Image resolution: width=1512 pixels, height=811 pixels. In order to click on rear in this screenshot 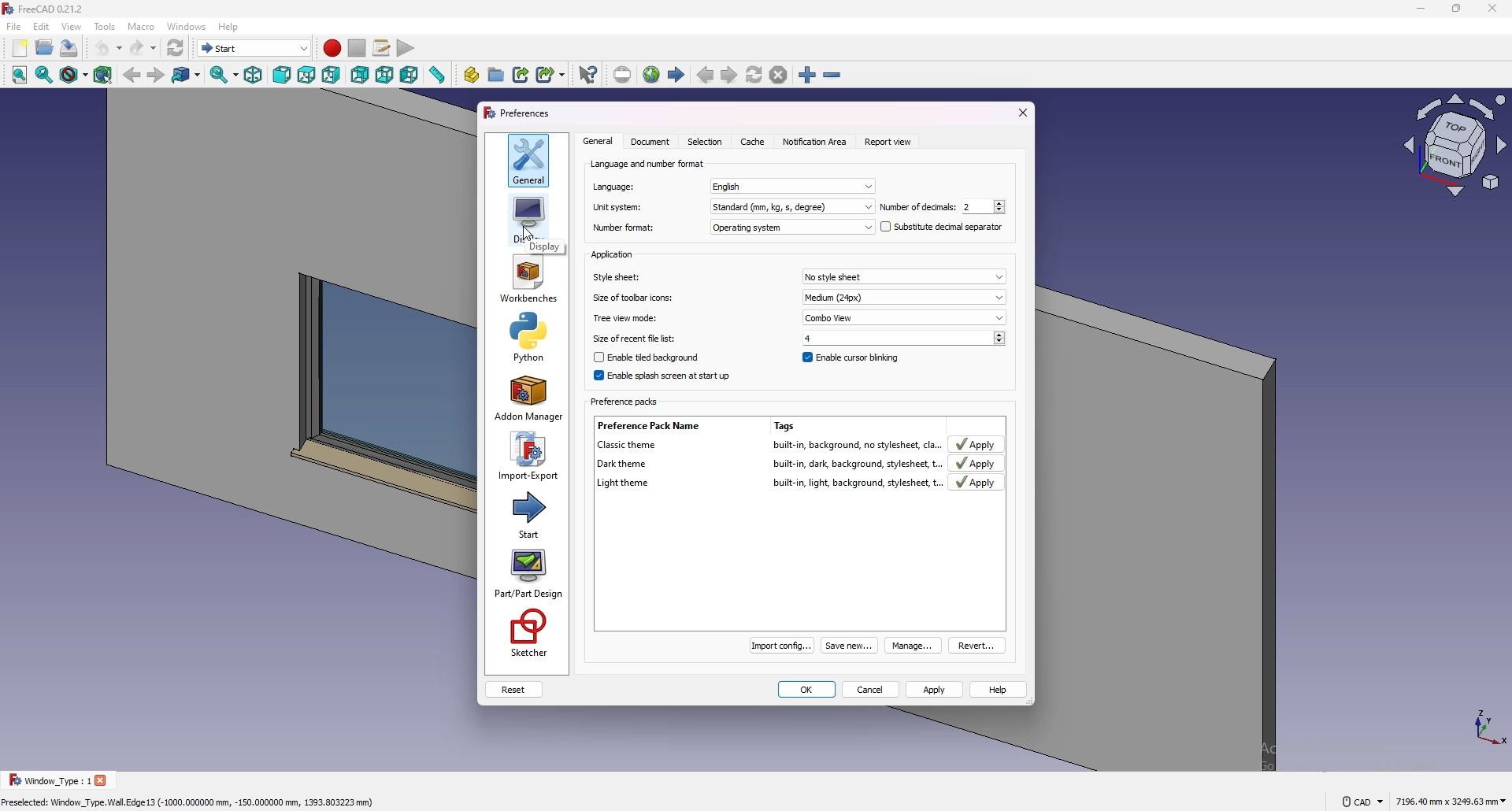, I will do `click(360, 76)`.